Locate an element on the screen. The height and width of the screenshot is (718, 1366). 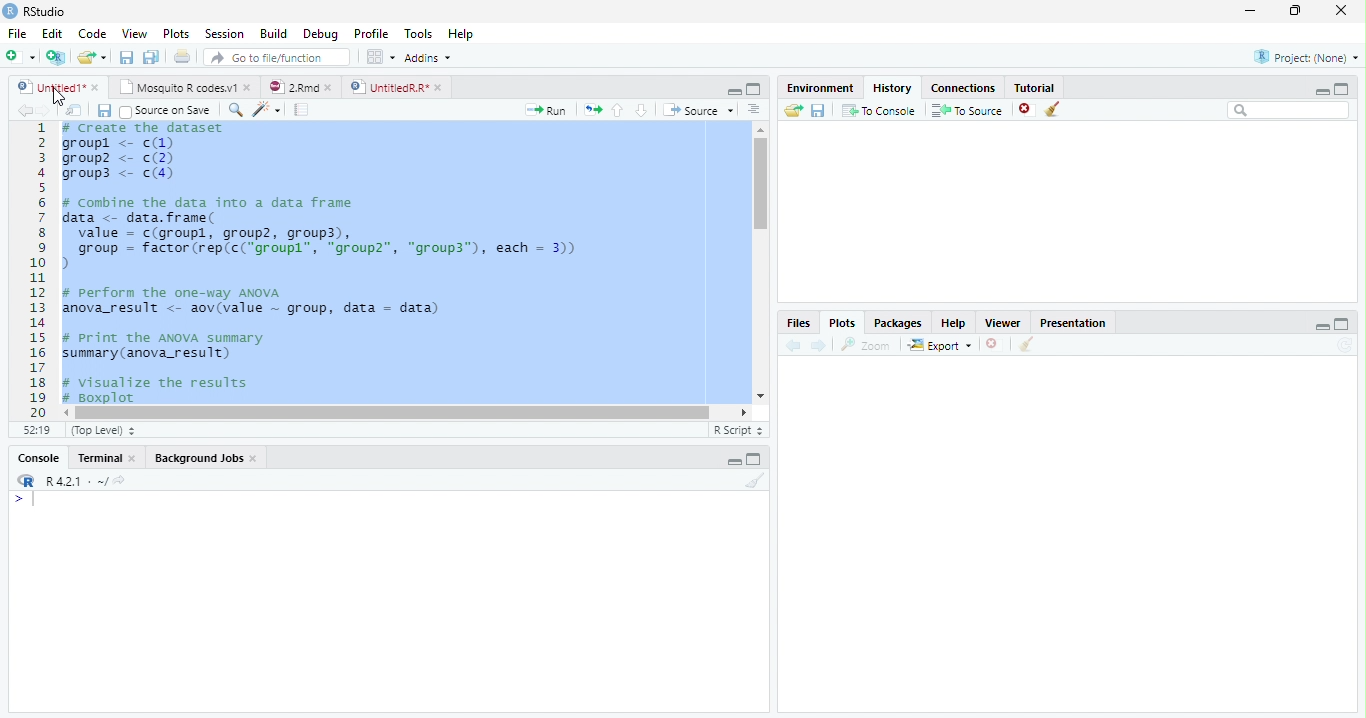
Print  the current file is located at coordinates (183, 57).